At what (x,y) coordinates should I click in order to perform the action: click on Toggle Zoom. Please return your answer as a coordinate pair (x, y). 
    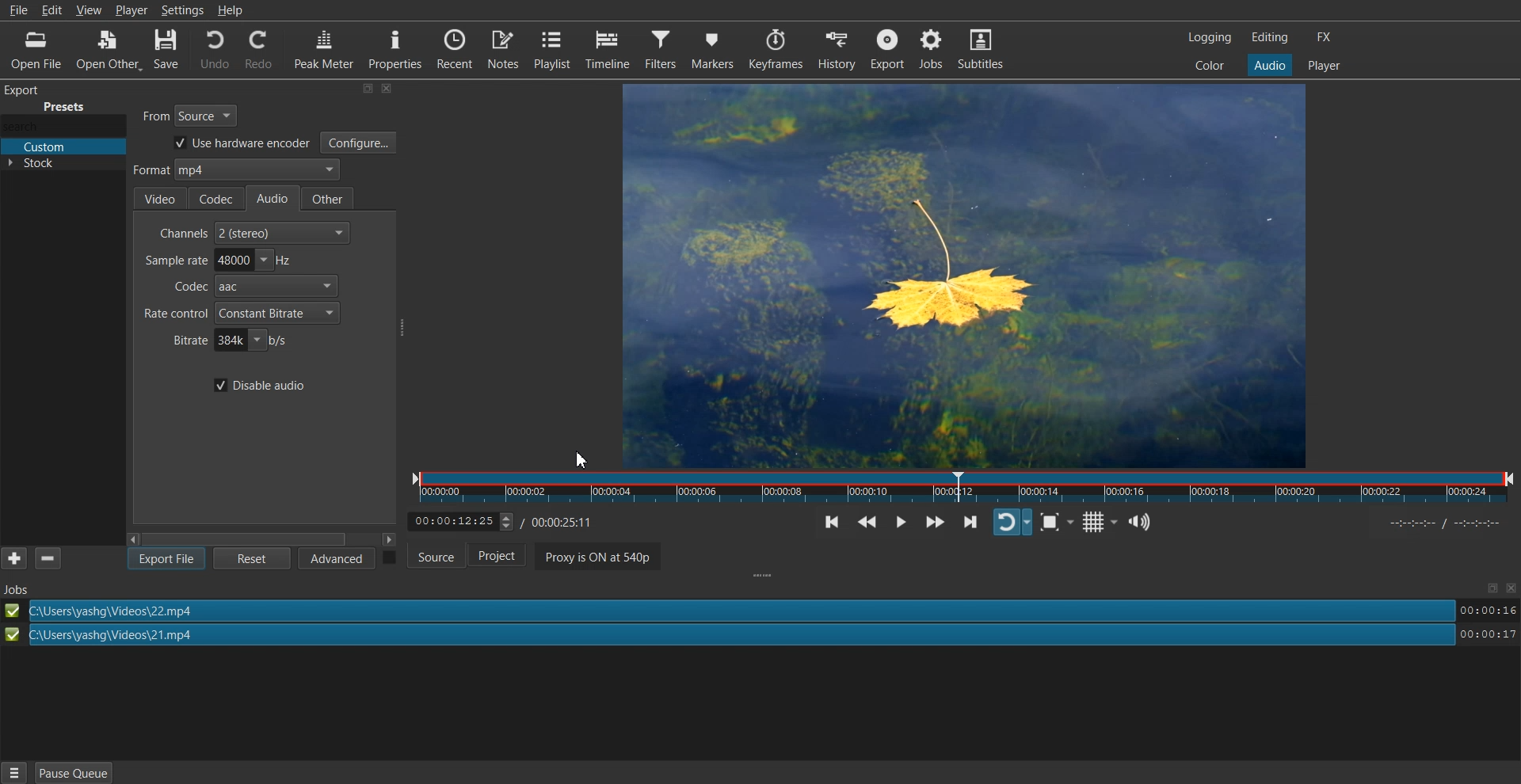
    Looking at the image, I should click on (1056, 520).